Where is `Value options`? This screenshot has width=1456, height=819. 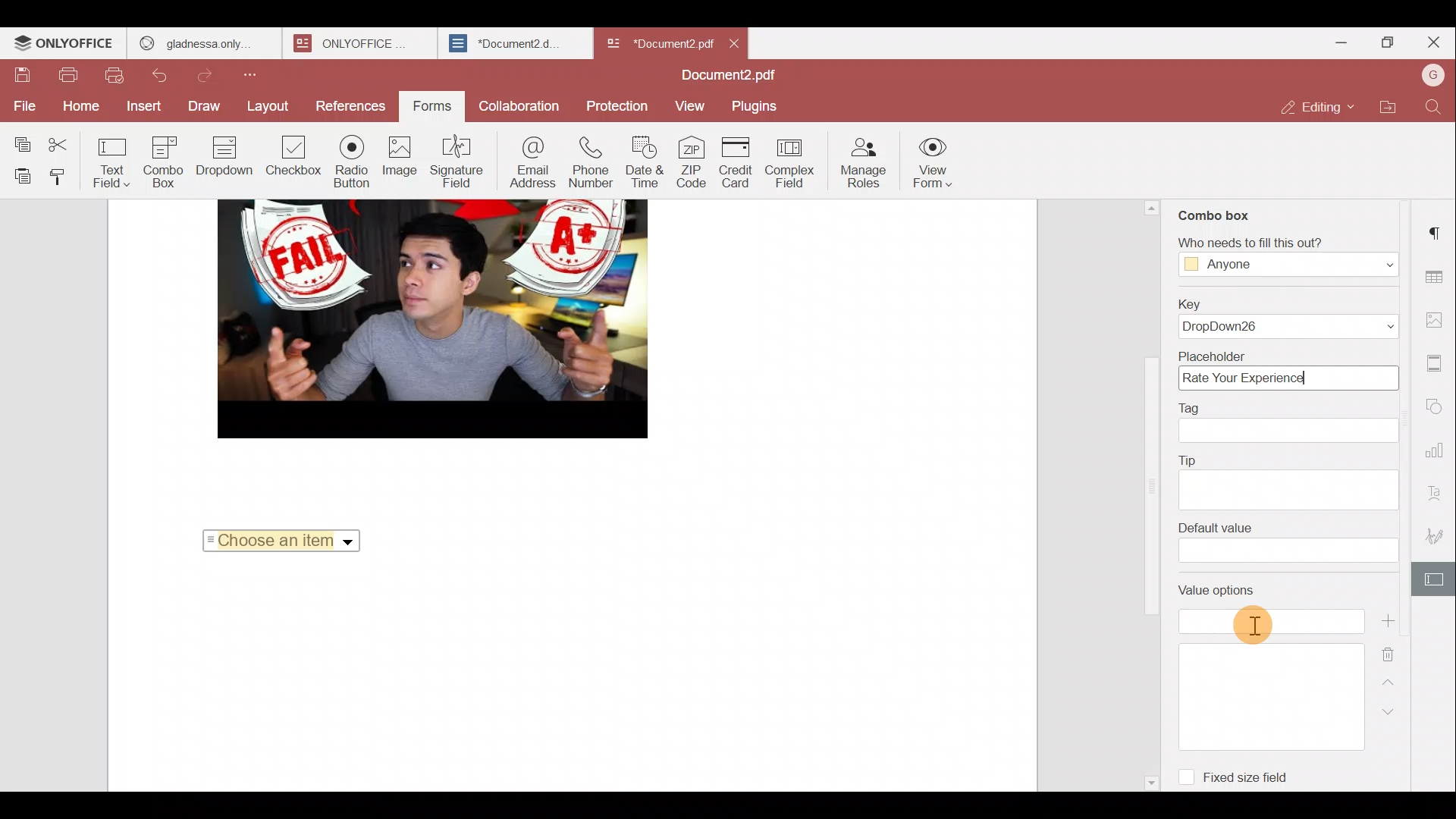 Value options is located at coordinates (1260, 667).